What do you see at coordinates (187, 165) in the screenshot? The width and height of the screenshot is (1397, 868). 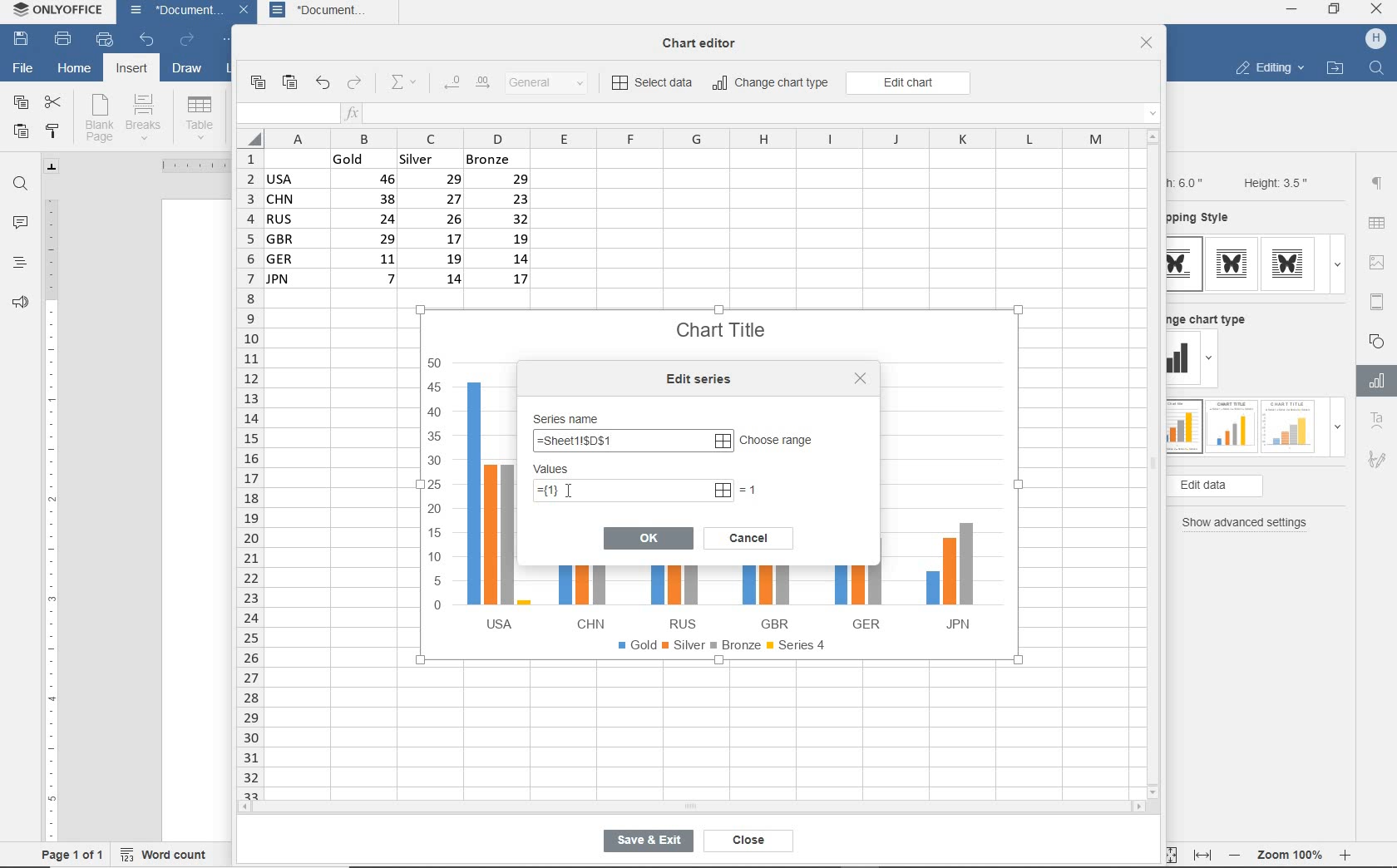 I see `ruler` at bounding box center [187, 165].